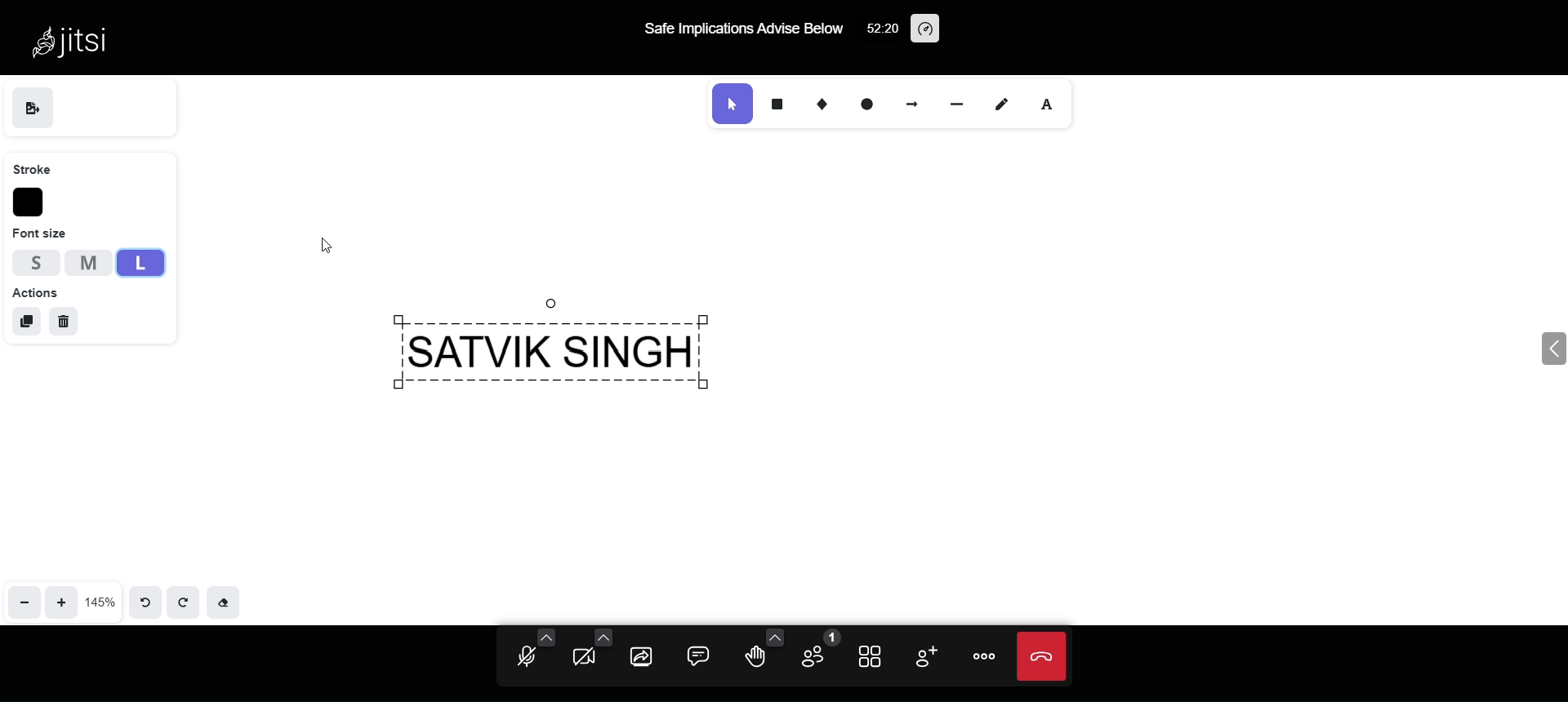 The image size is (1568, 702). Describe the element at coordinates (79, 40) in the screenshot. I see `Jitsi` at that location.